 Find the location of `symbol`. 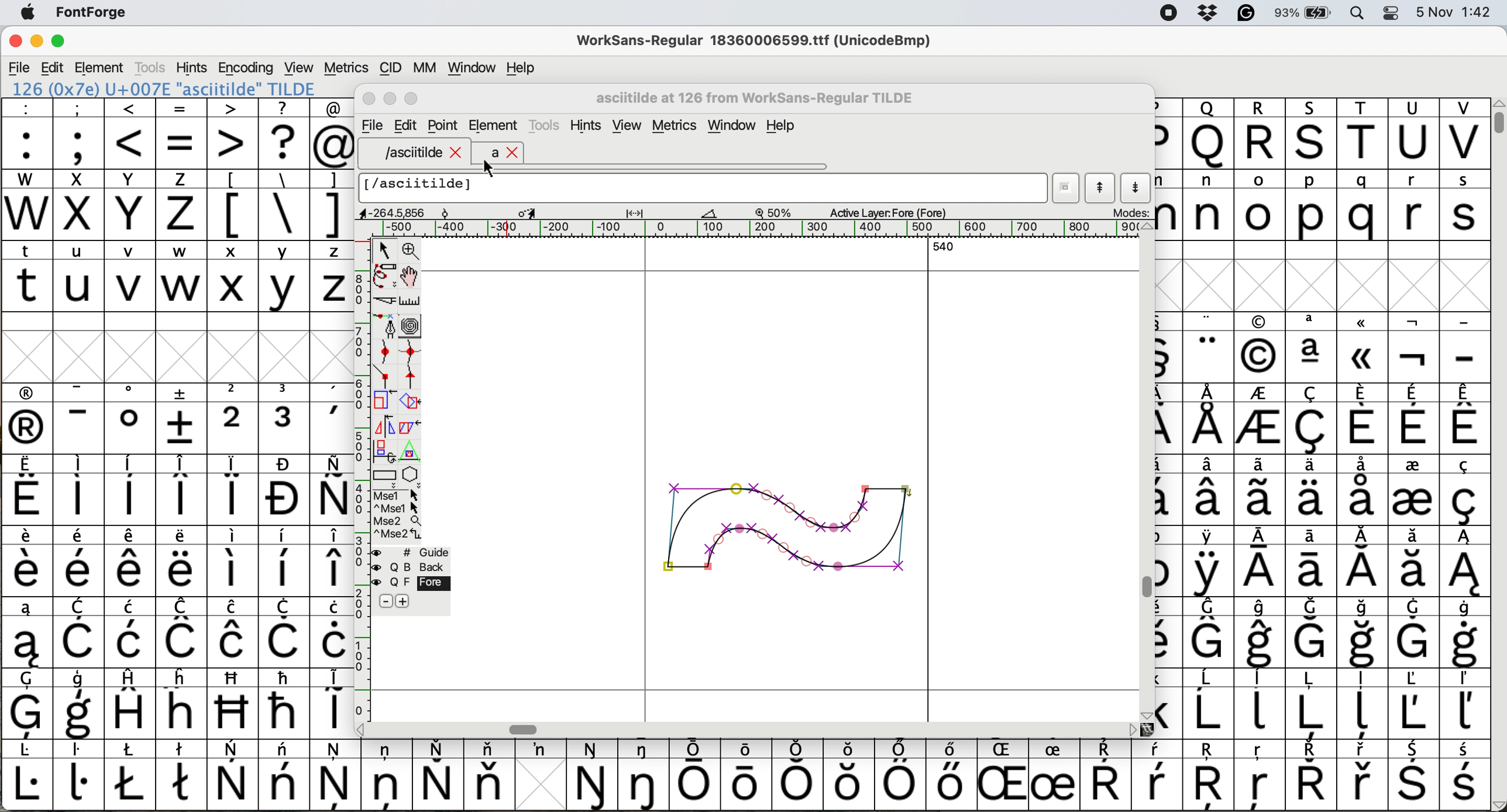

symbol is located at coordinates (80, 705).